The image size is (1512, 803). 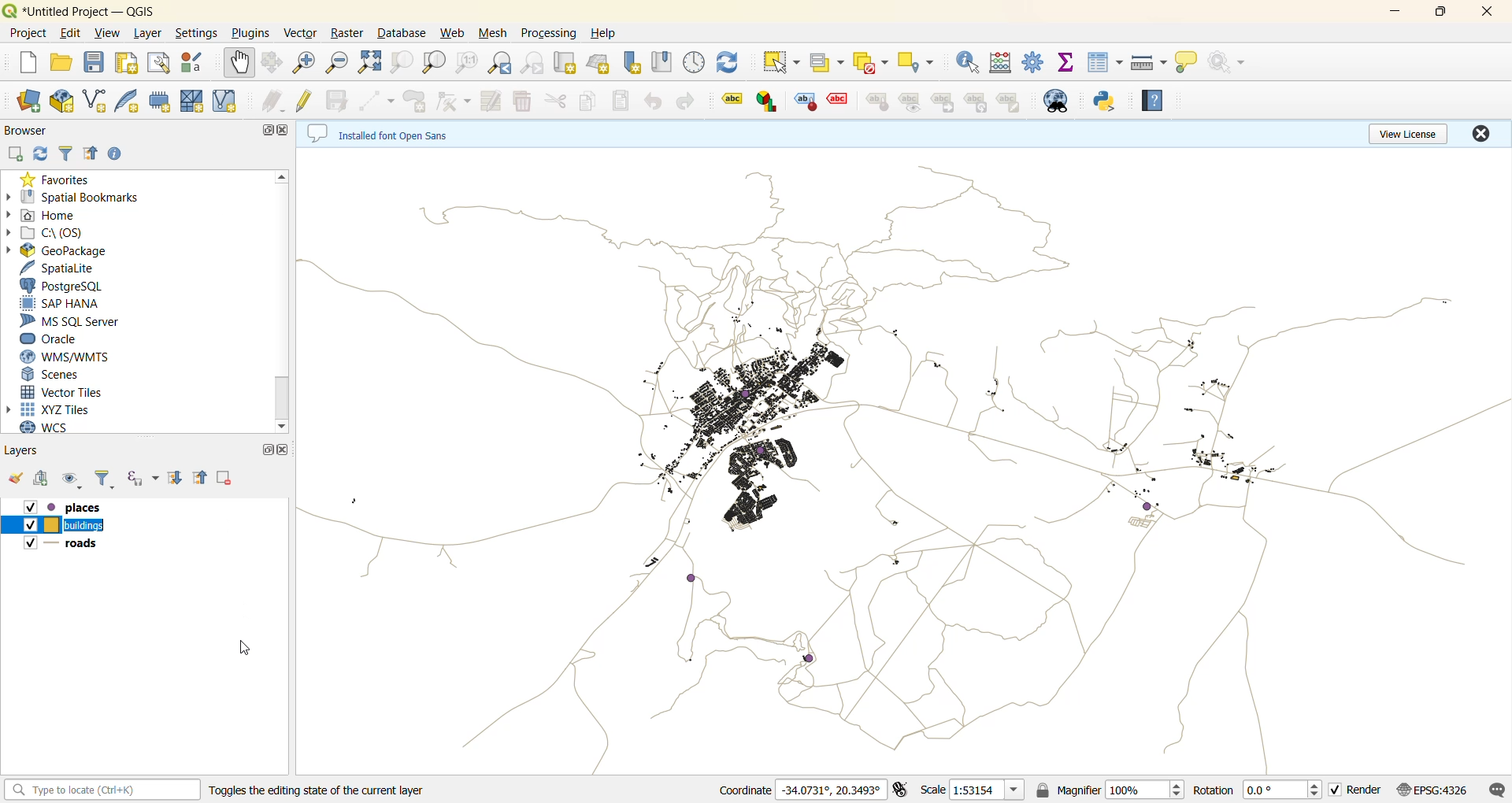 I want to click on help, so click(x=603, y=33).